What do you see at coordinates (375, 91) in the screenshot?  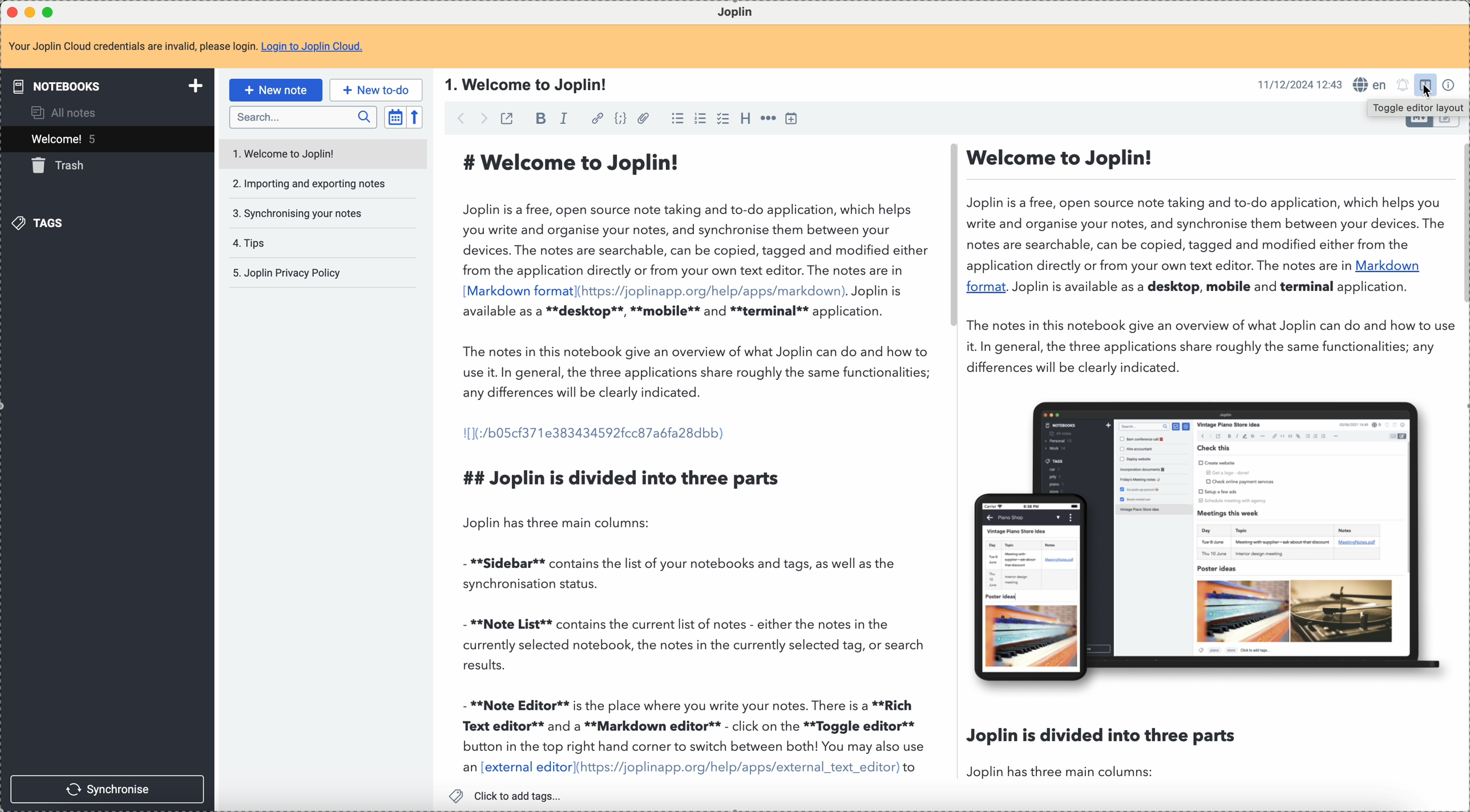 I see `new to-do` at bounding box center [375, 91].